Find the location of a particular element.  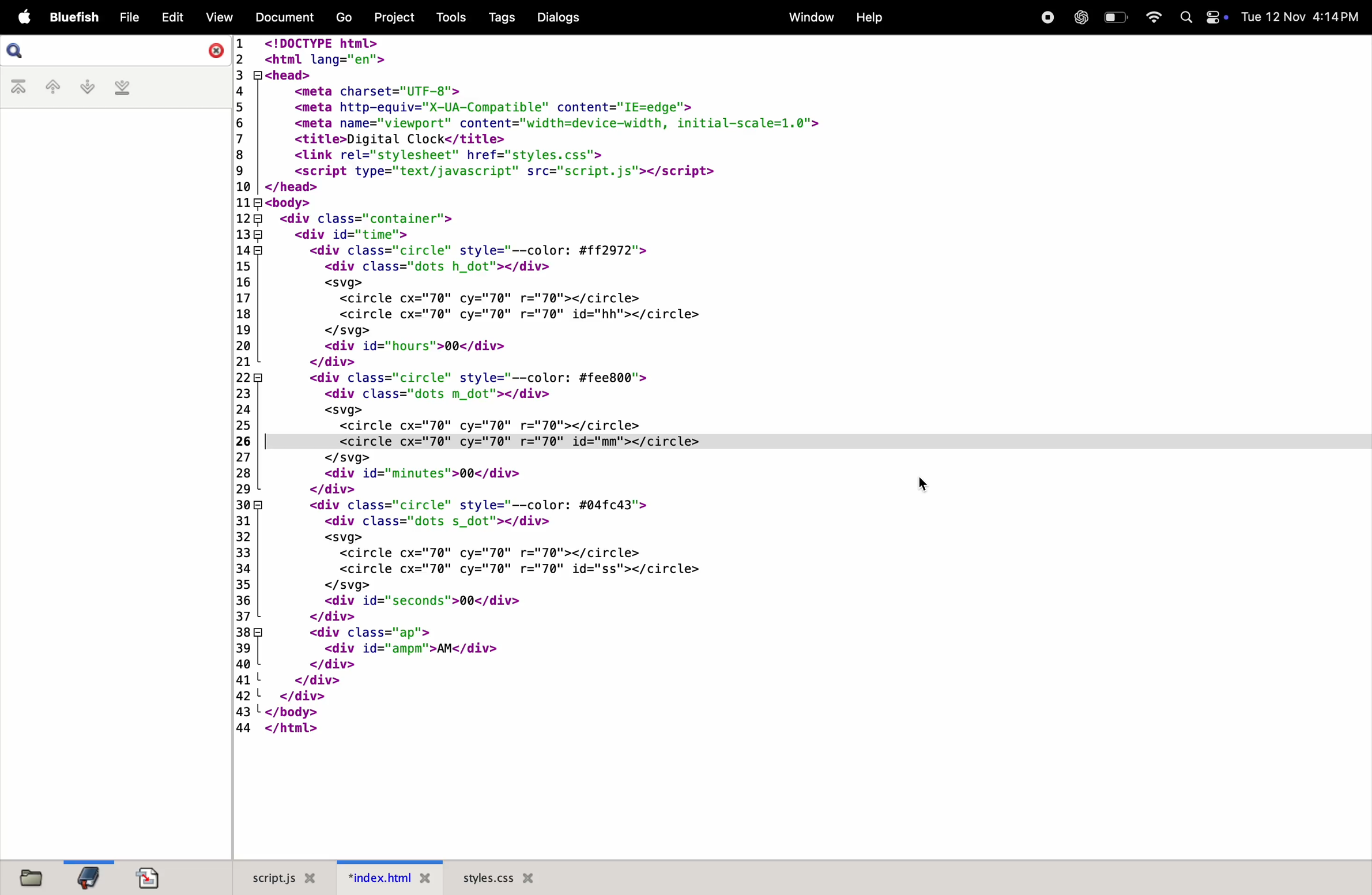

tools is located at coordinates (450, 17).